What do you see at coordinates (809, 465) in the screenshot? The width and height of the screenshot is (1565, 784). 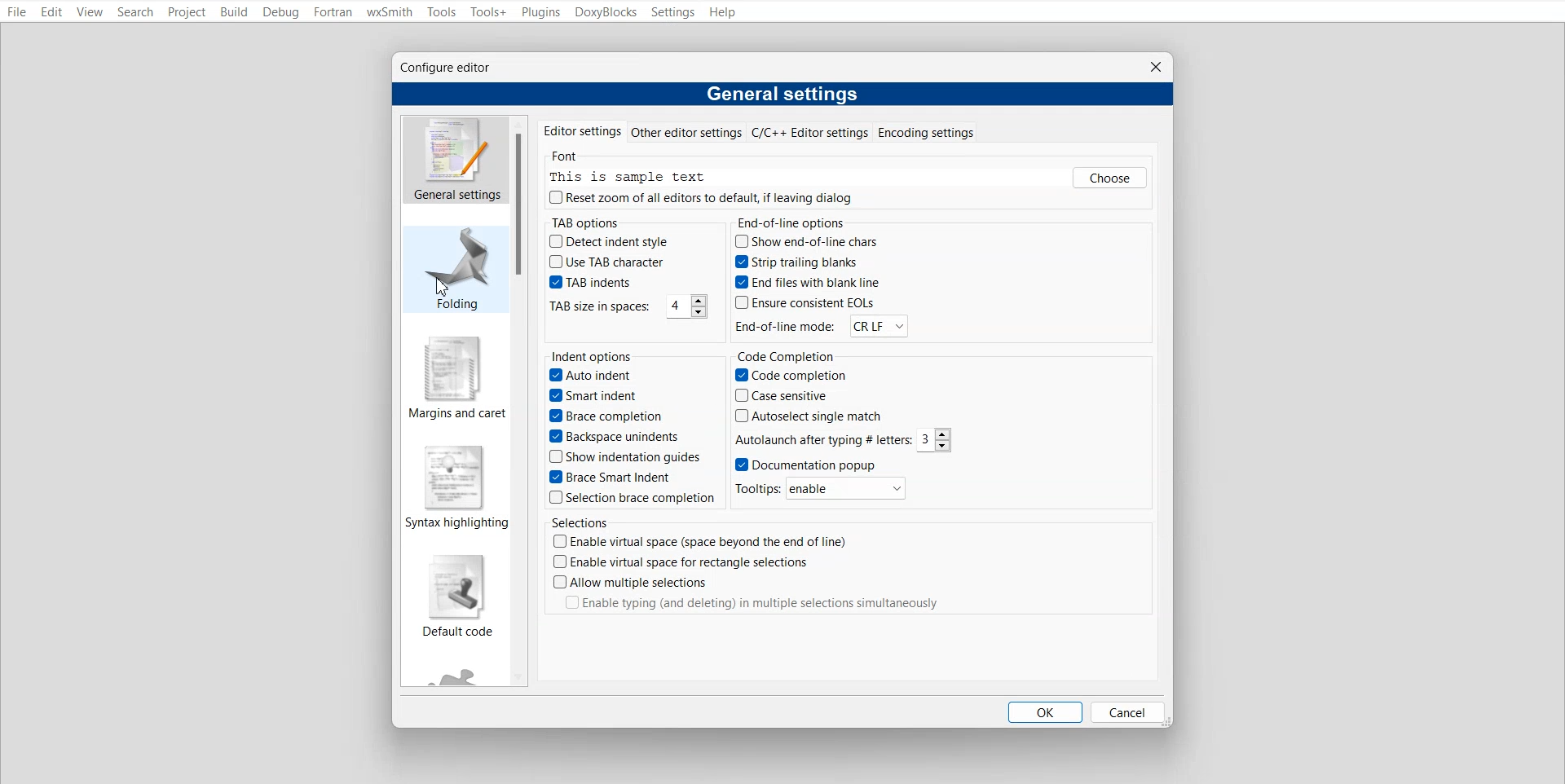 I see `Documentation popup` at bounding box center [809, 465].